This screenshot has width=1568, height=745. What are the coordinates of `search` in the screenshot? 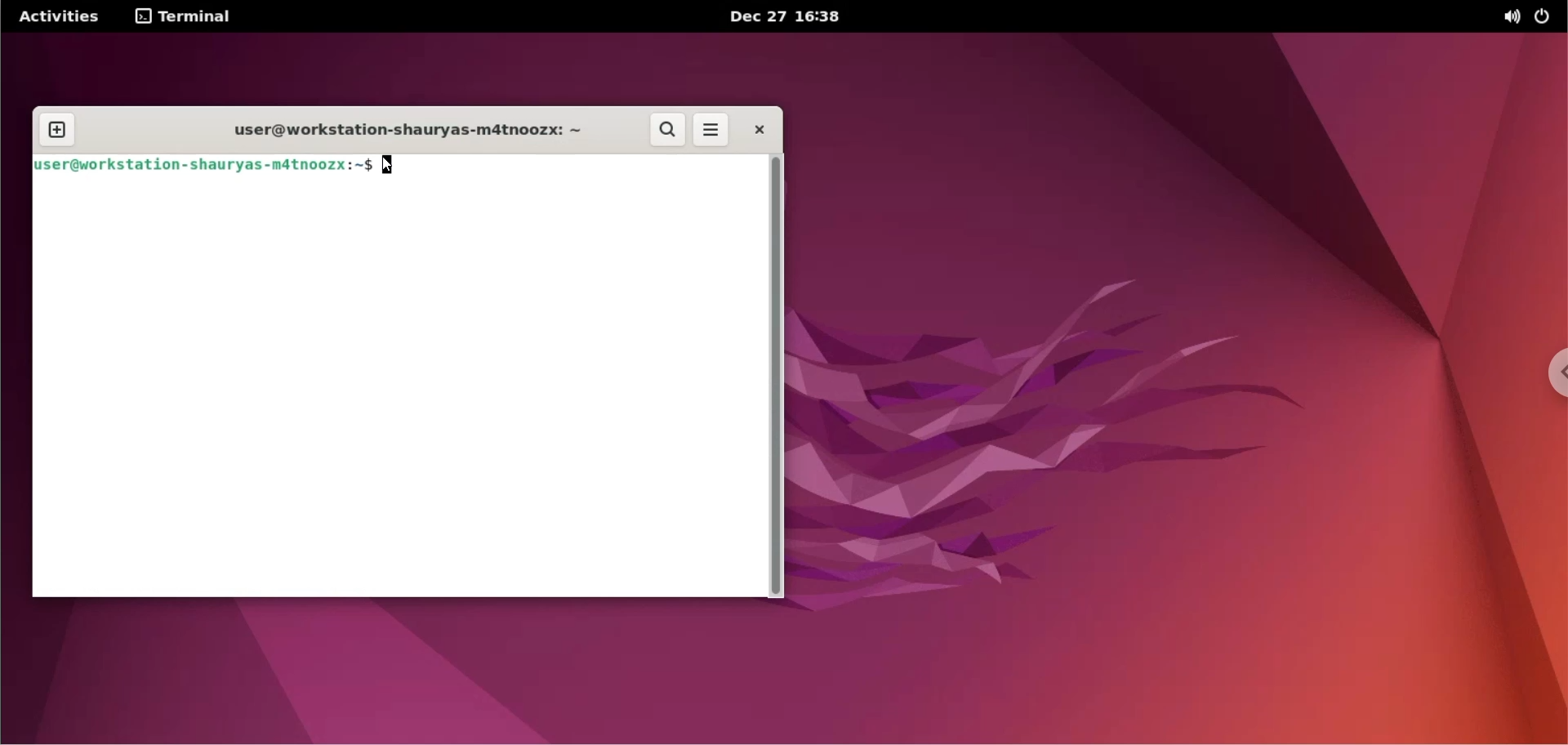 It's located at (670, 131).